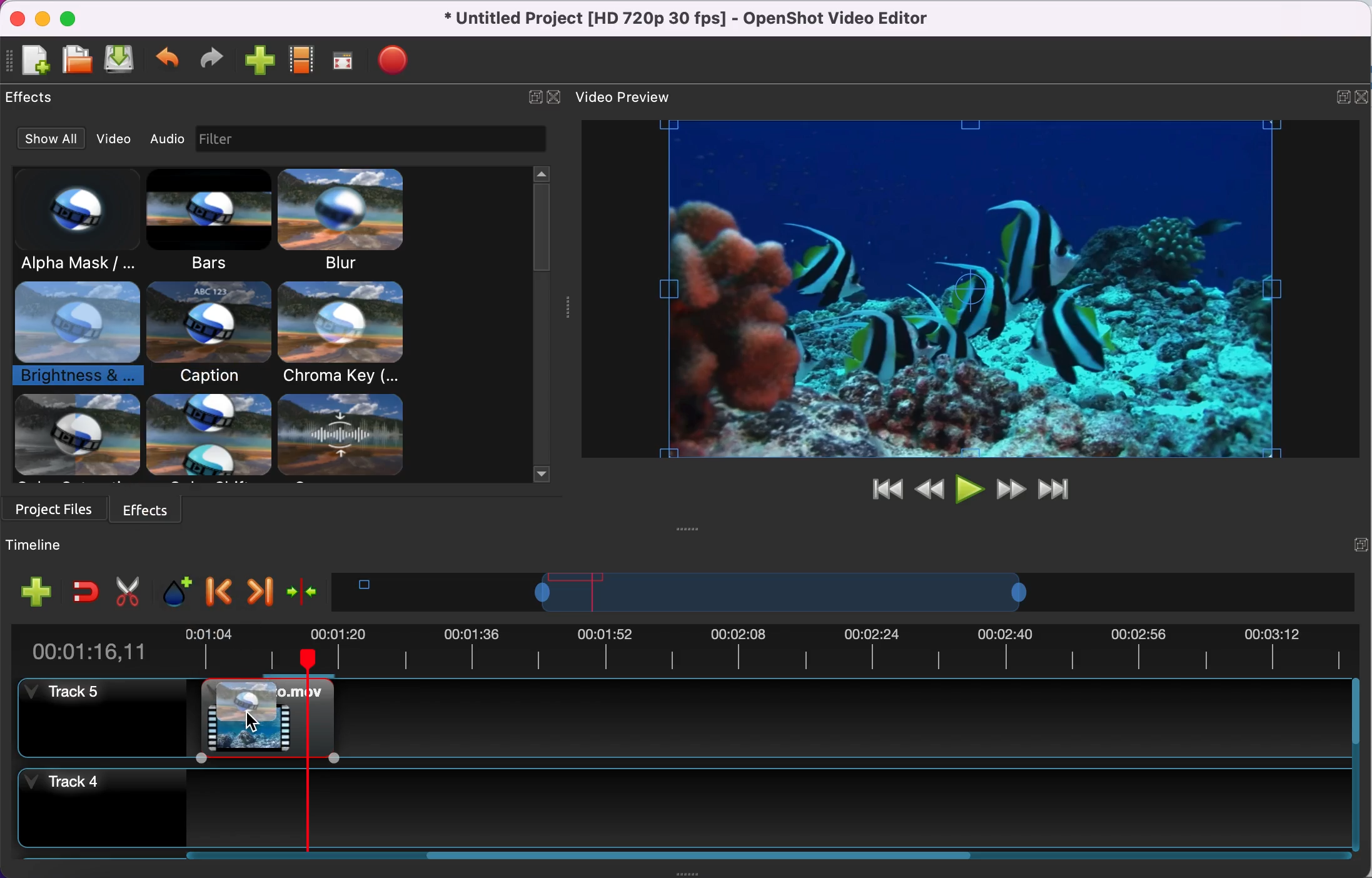  What do you see at coordinates (34, 98) in the screenshot?
I see `effecs` at bounding box center [34, 98].